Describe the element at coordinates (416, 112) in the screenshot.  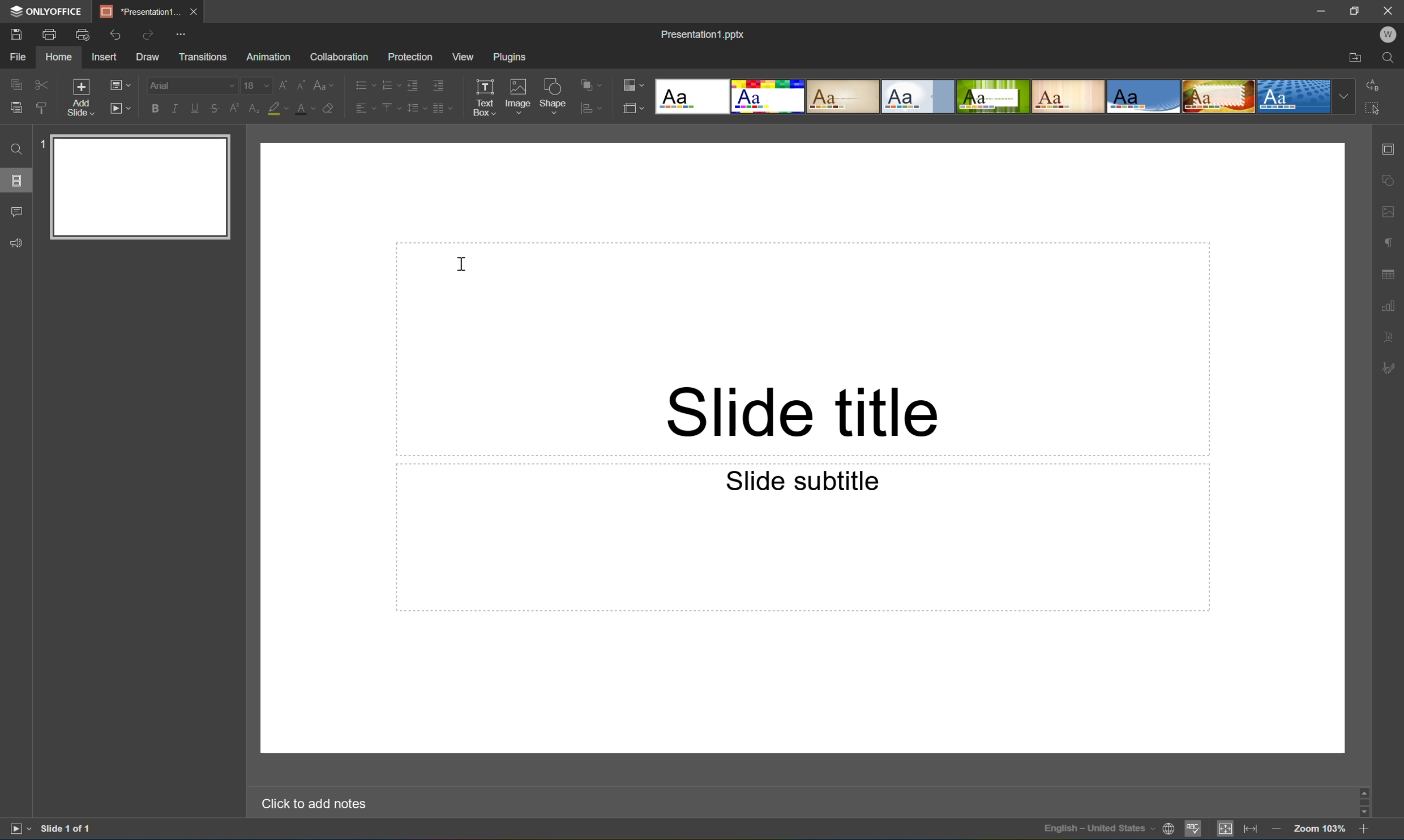
I see `Line spacing` at that location.